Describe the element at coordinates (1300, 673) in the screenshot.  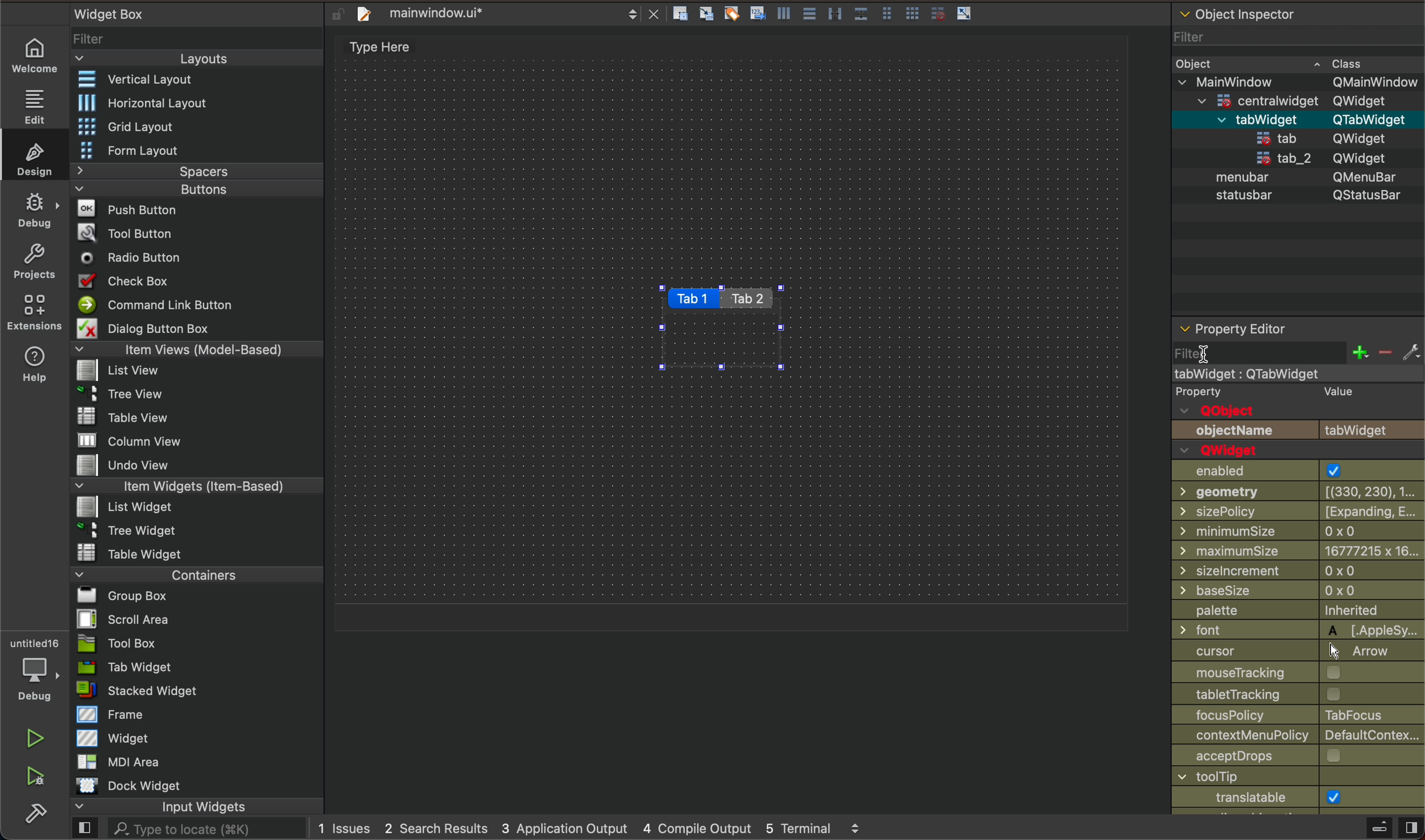
I see `` at that location.